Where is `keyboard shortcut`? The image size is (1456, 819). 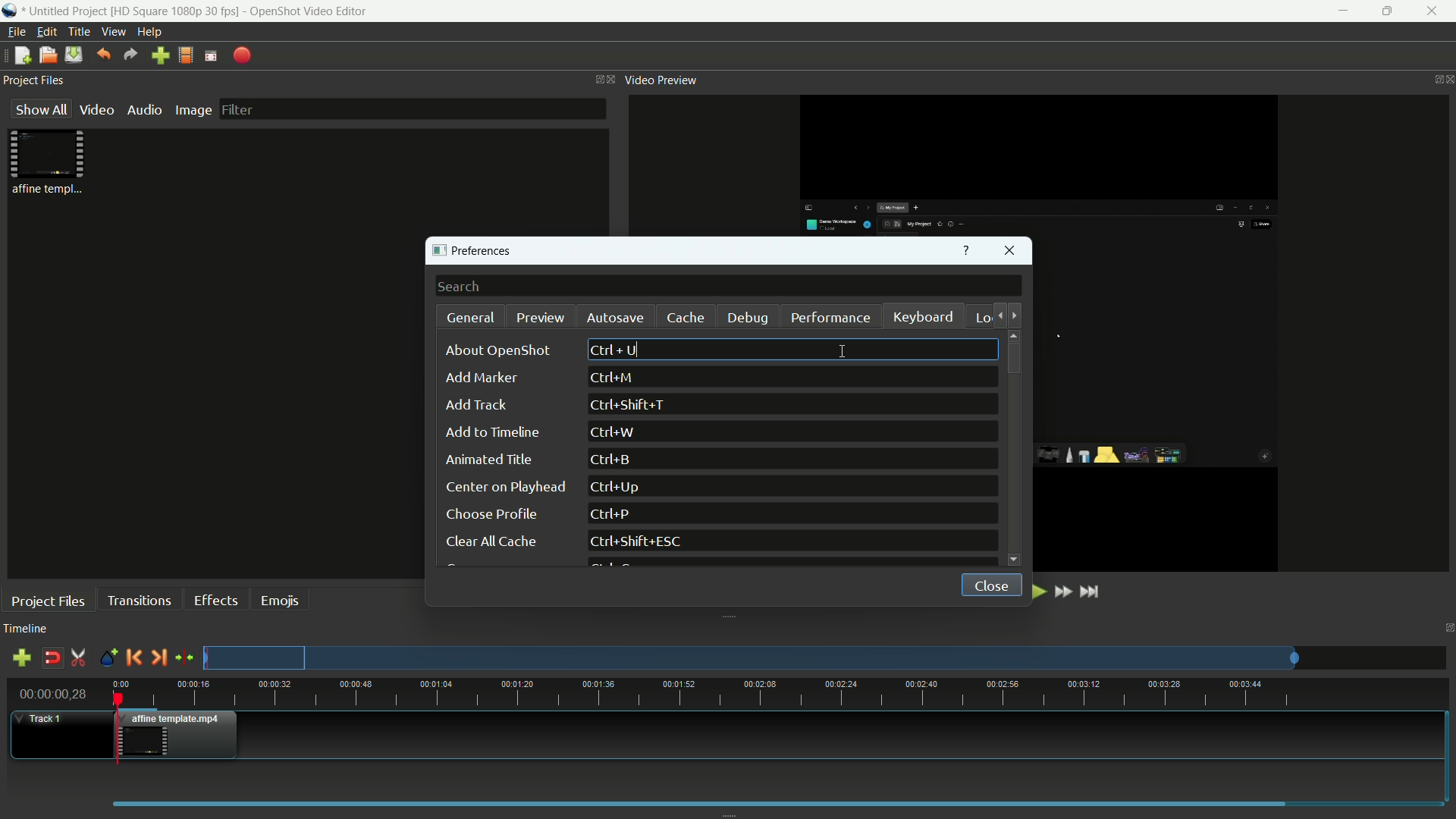 keyboard shortcut is located at coordinates (613, 432).